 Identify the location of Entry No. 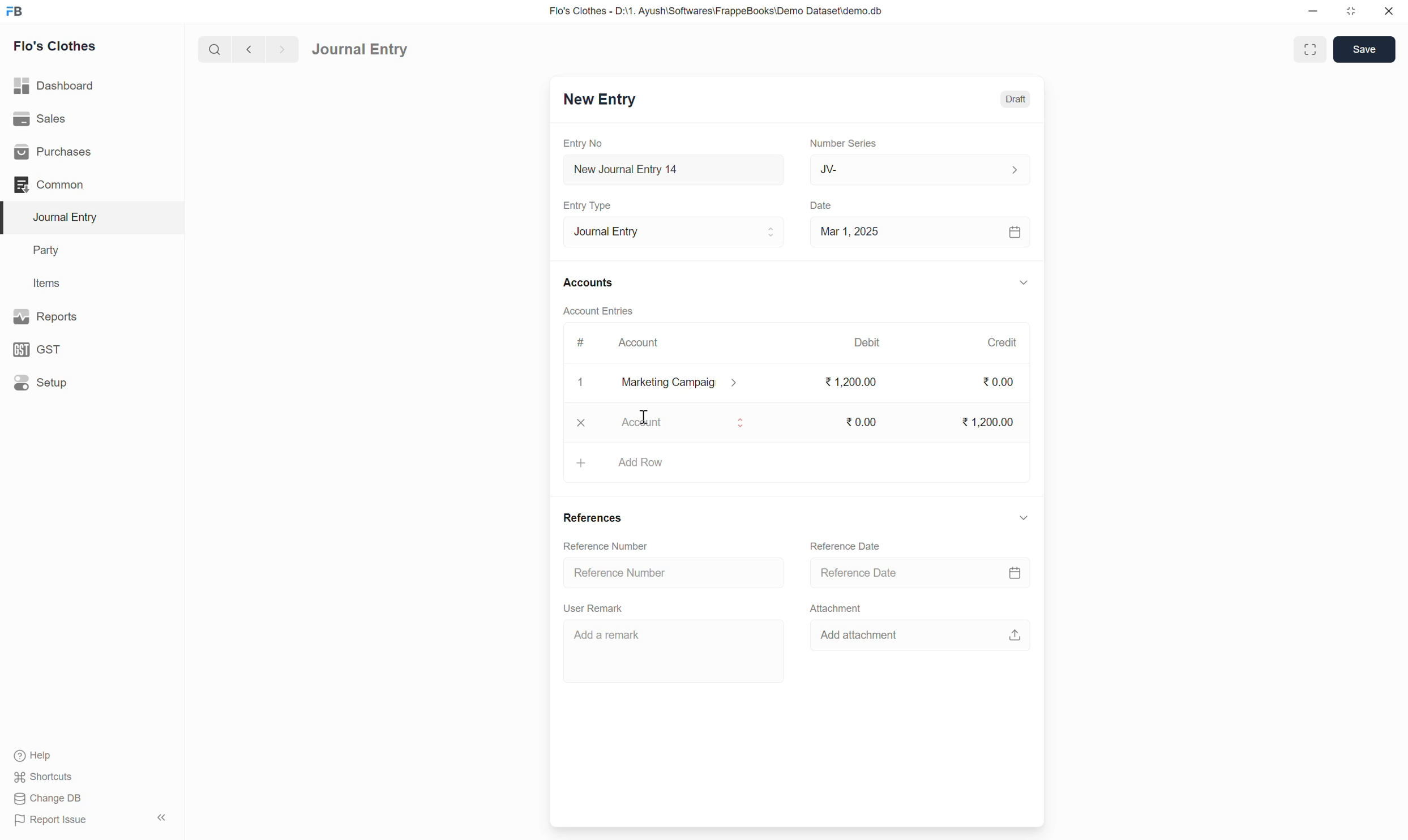
(585, 143).